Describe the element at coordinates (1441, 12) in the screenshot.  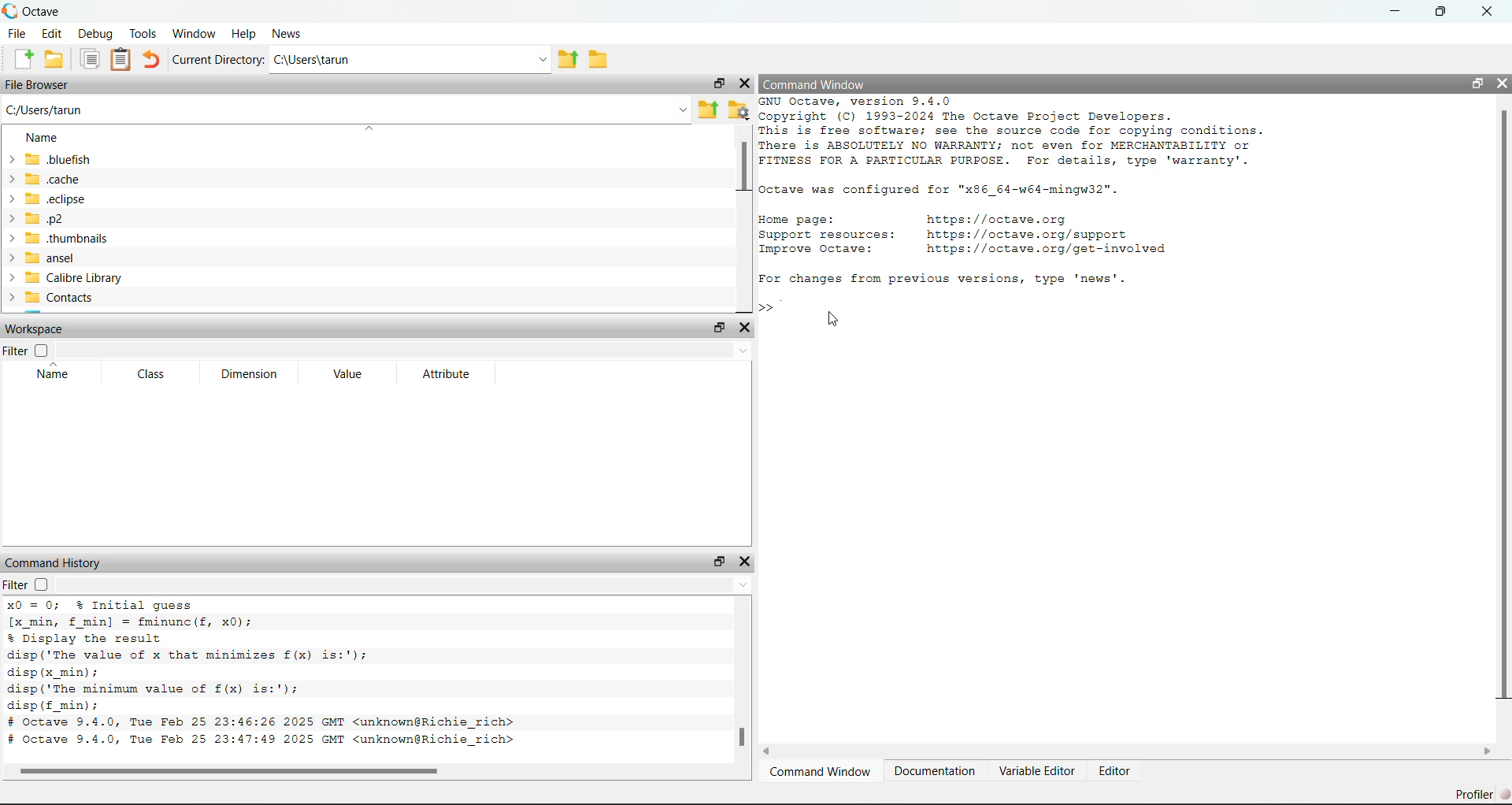
I see `Maximize/Restore` at that location.